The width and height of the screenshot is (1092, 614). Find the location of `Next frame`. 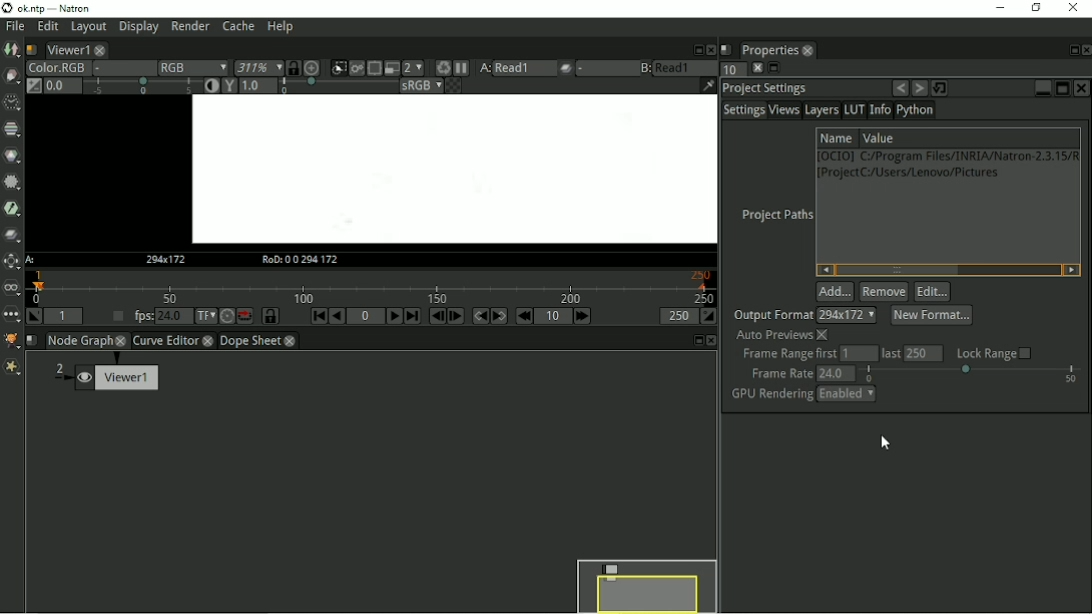

Next frame is located at coordinates (455, 316).